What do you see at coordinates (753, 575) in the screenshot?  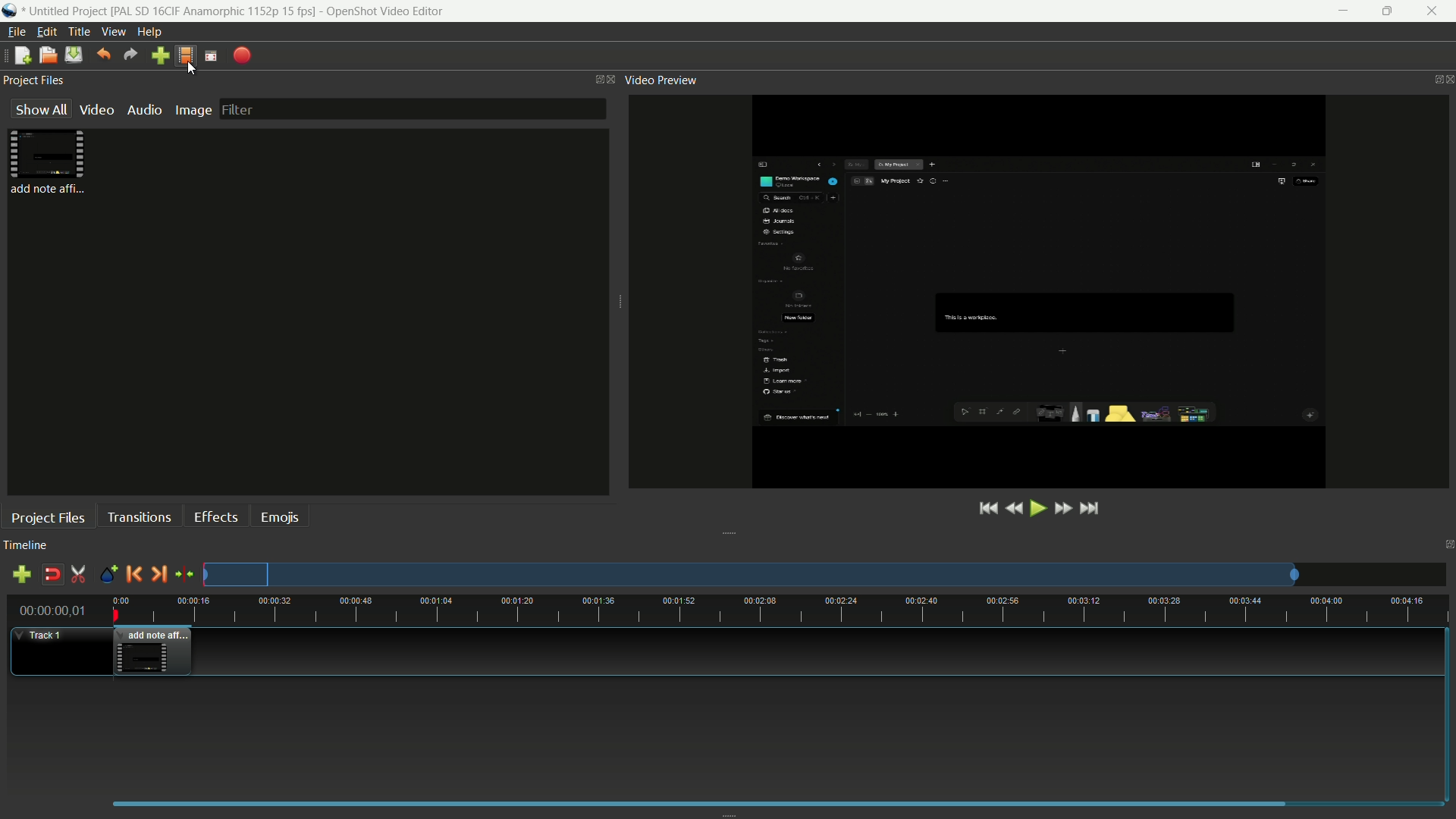 I see `track preview` at bounding box center [753, 575].